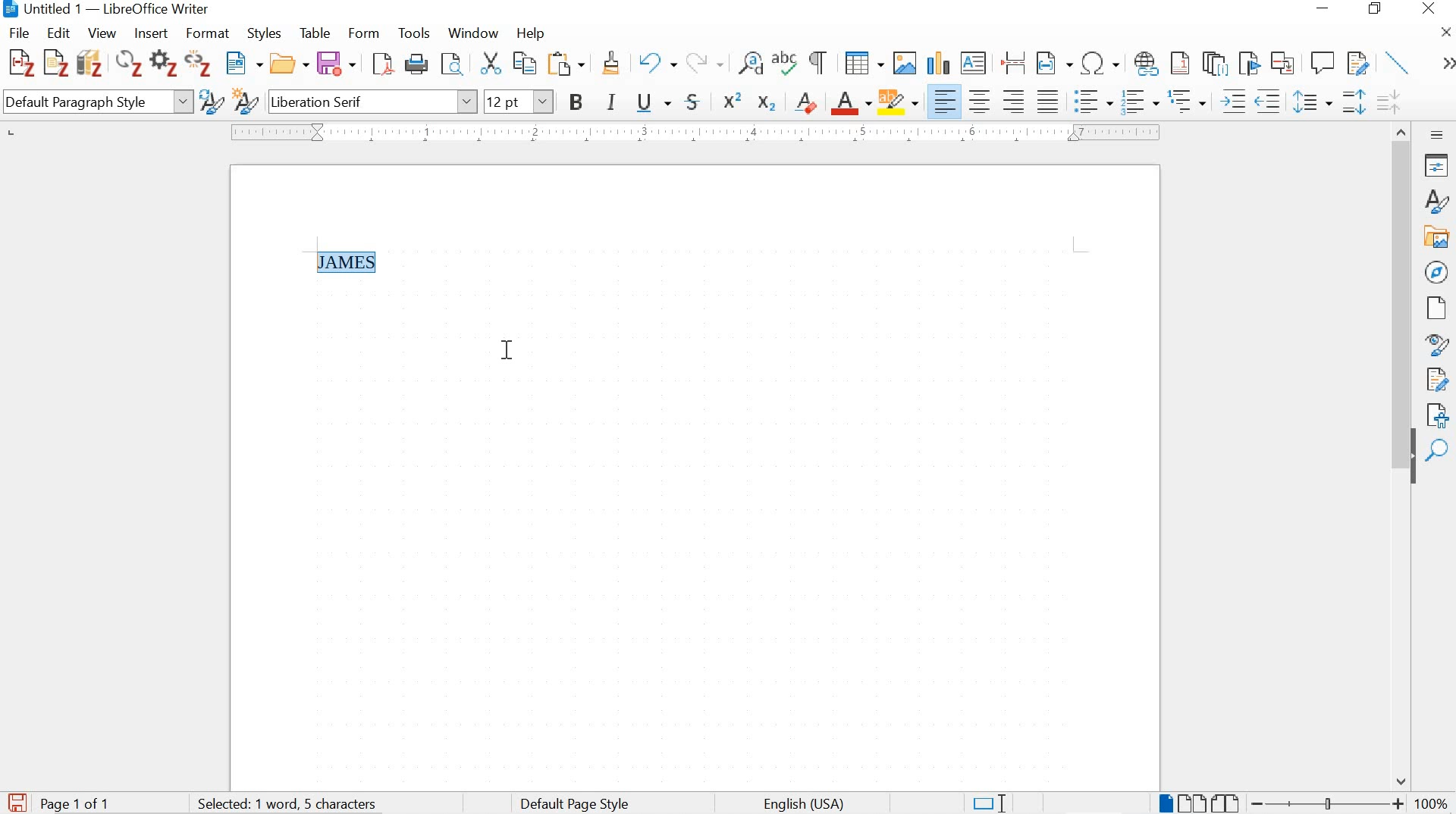  I want to click on text language english(usa), so click(802, 804).